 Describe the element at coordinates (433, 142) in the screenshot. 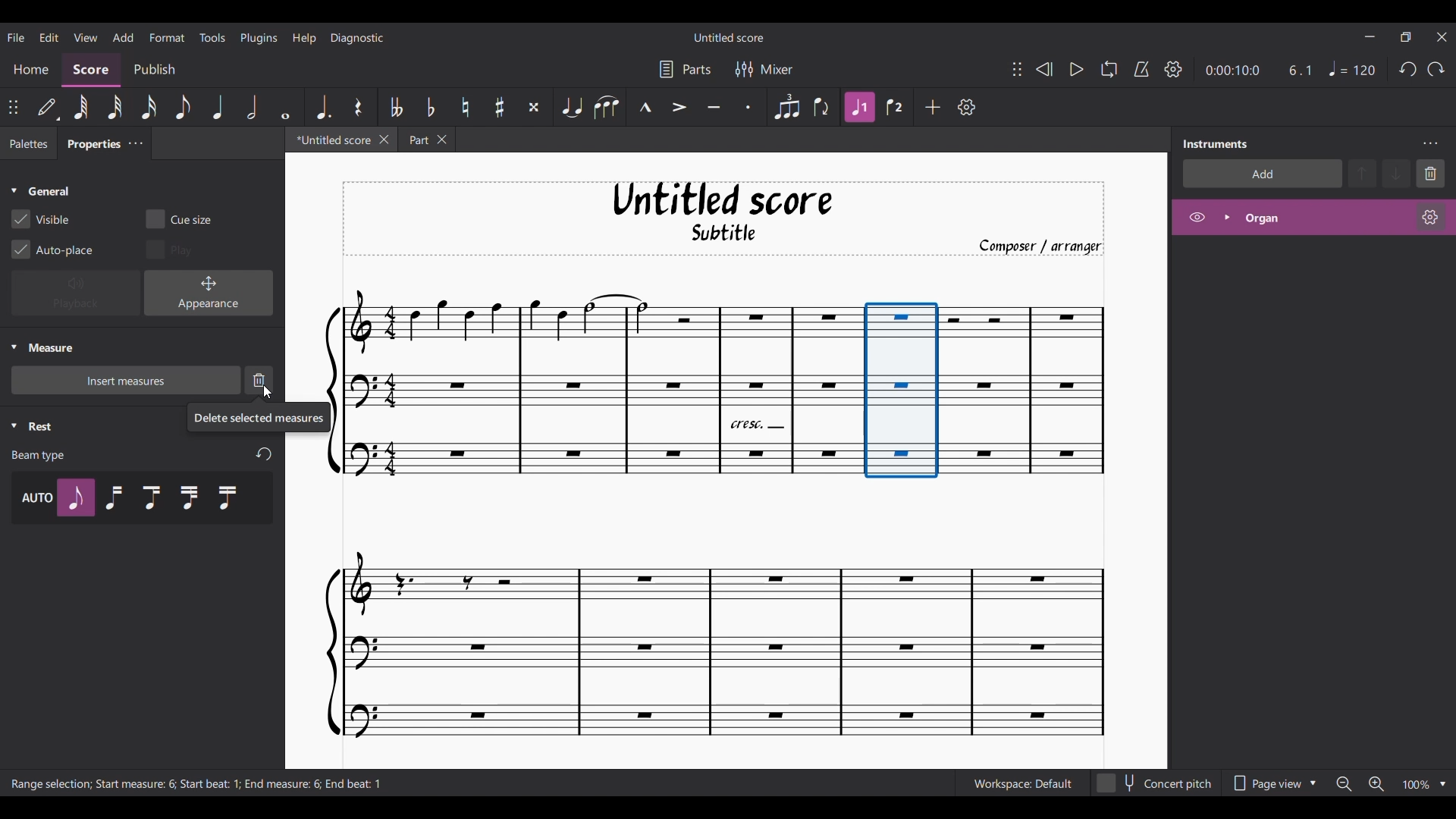

I see `part` at that location.